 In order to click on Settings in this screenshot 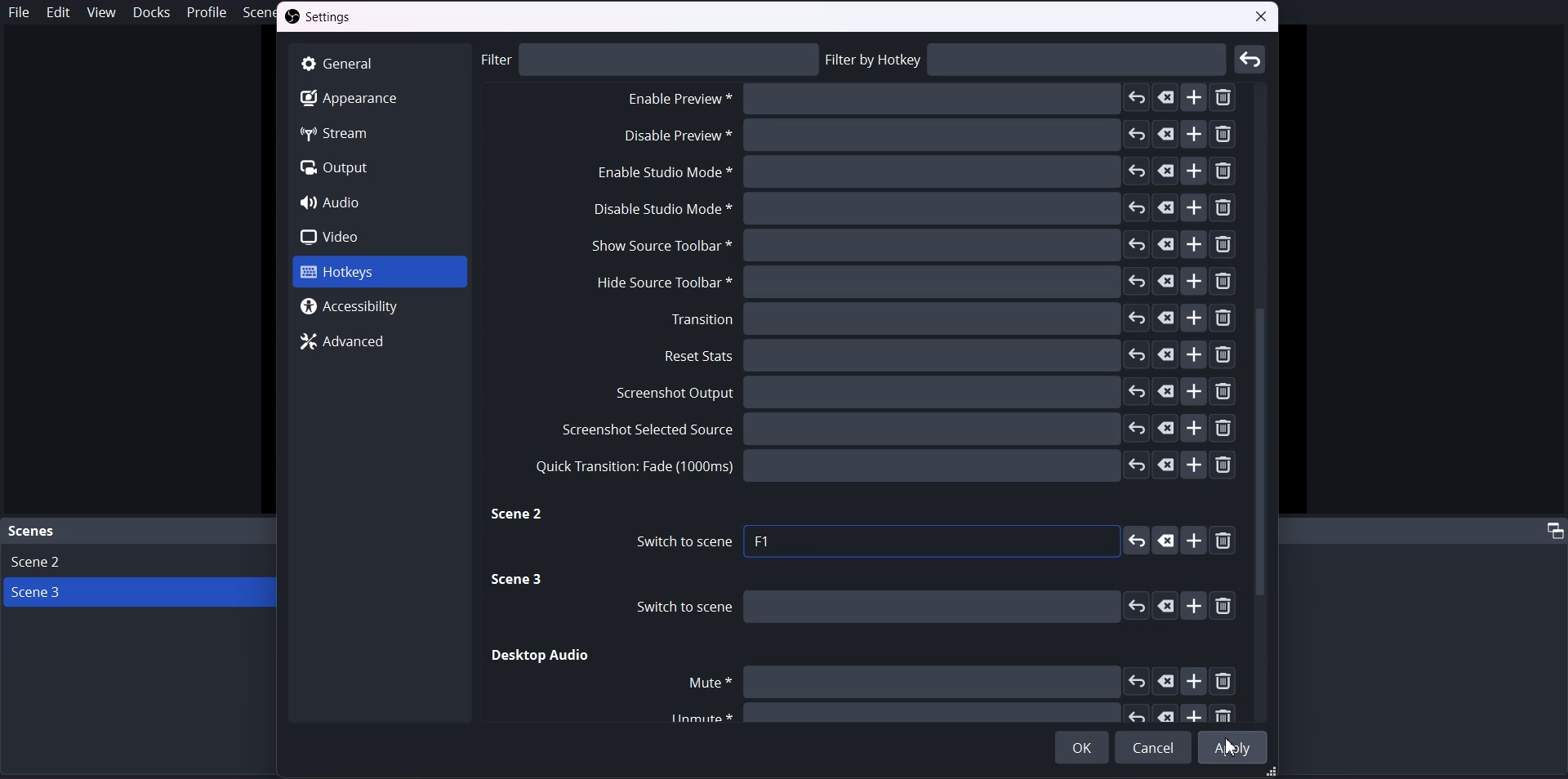, I will do `click(323, 18)`.